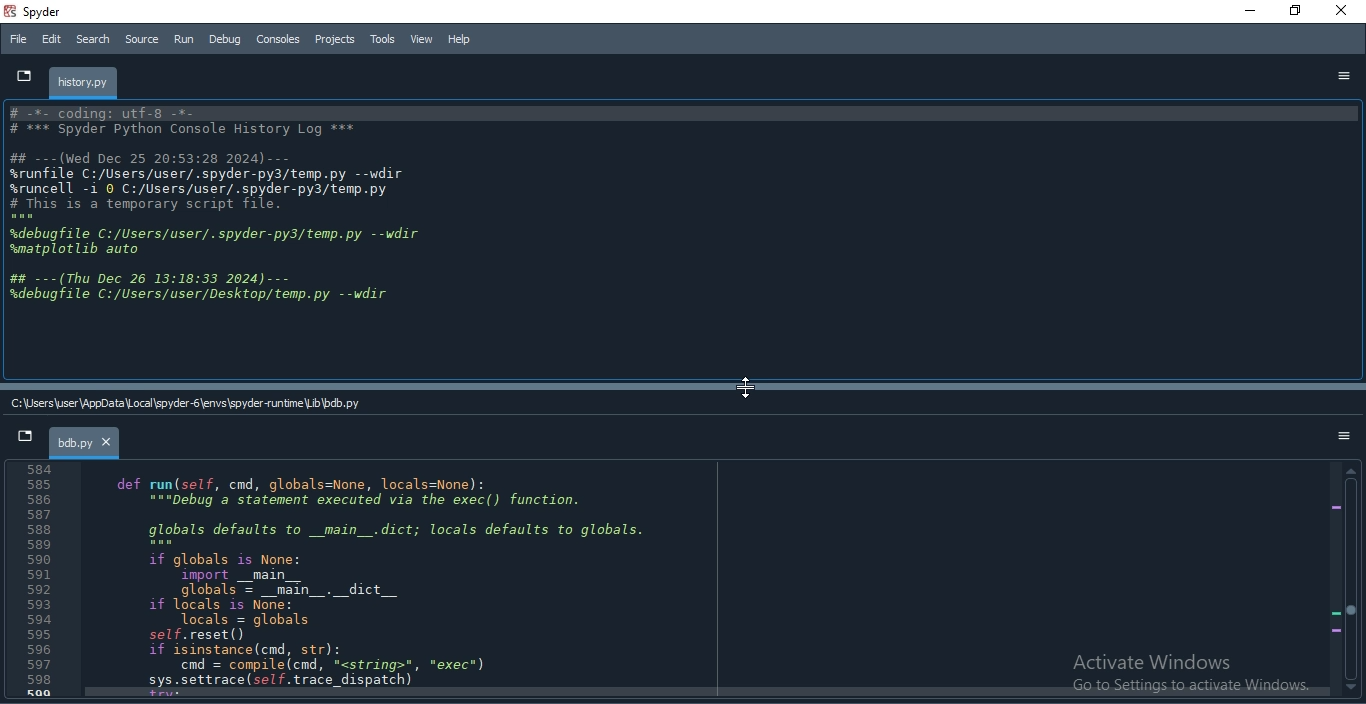 This screenshot has width=1366, height=704. I want to click on Activate Windows
e300. Settings to activate Windows., so click(1175, 672).